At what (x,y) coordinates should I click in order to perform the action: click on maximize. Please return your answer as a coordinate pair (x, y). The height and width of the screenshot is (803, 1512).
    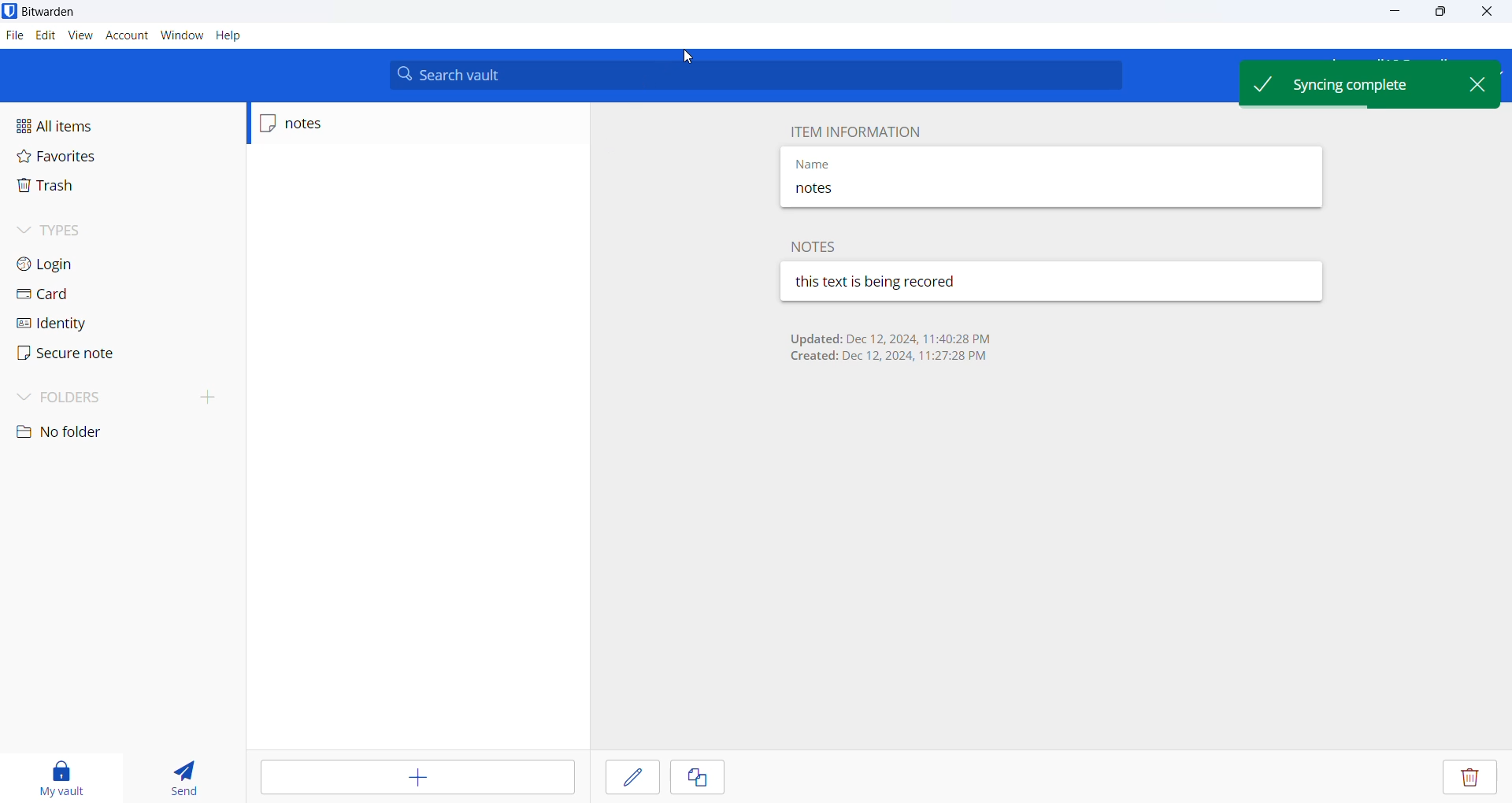
    Looking at the image, I should click on (1434, 12).